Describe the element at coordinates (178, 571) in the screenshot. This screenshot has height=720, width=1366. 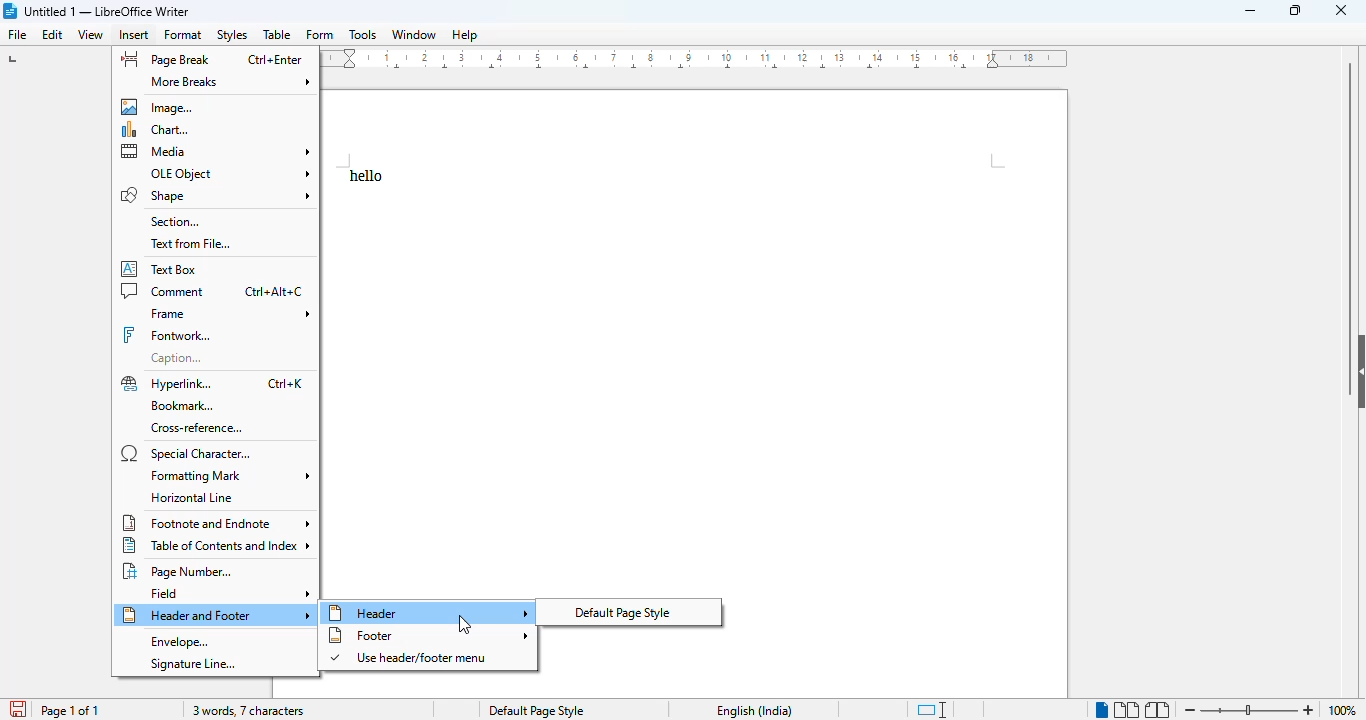
I see `page number` at that location.